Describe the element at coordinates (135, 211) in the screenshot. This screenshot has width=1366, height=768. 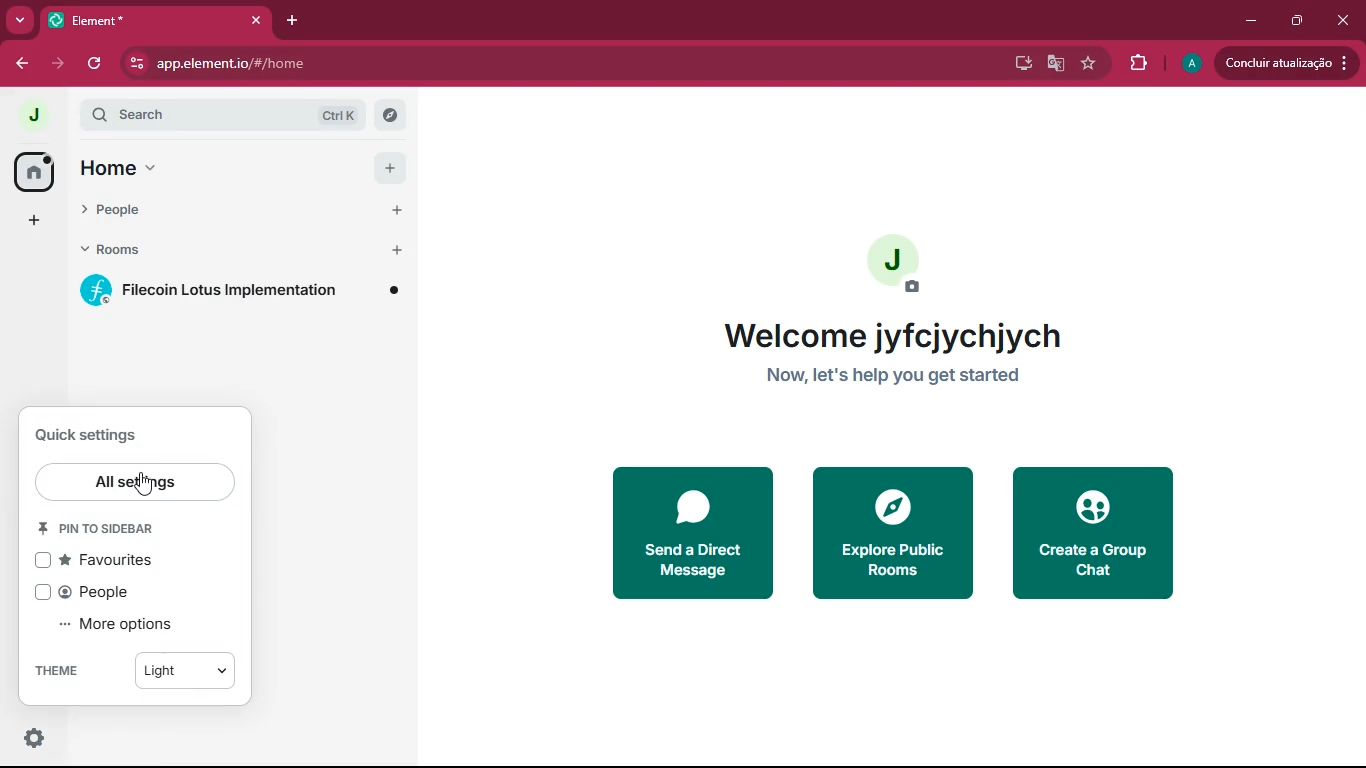
I see `people` at that location.